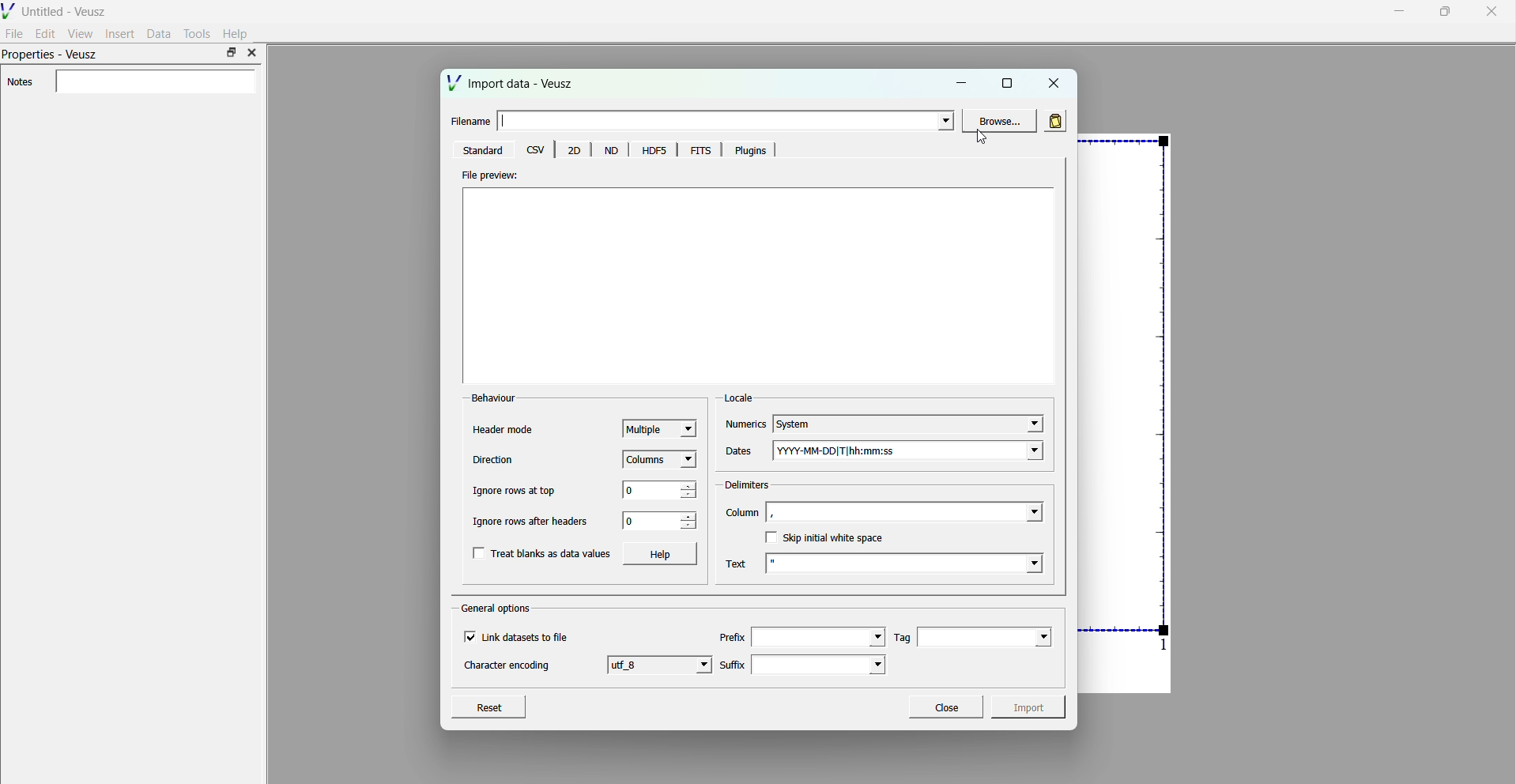 Image resolution: width=1516 pixels, height=784 pixels. I want to click on File preview:, so click(489, 175).